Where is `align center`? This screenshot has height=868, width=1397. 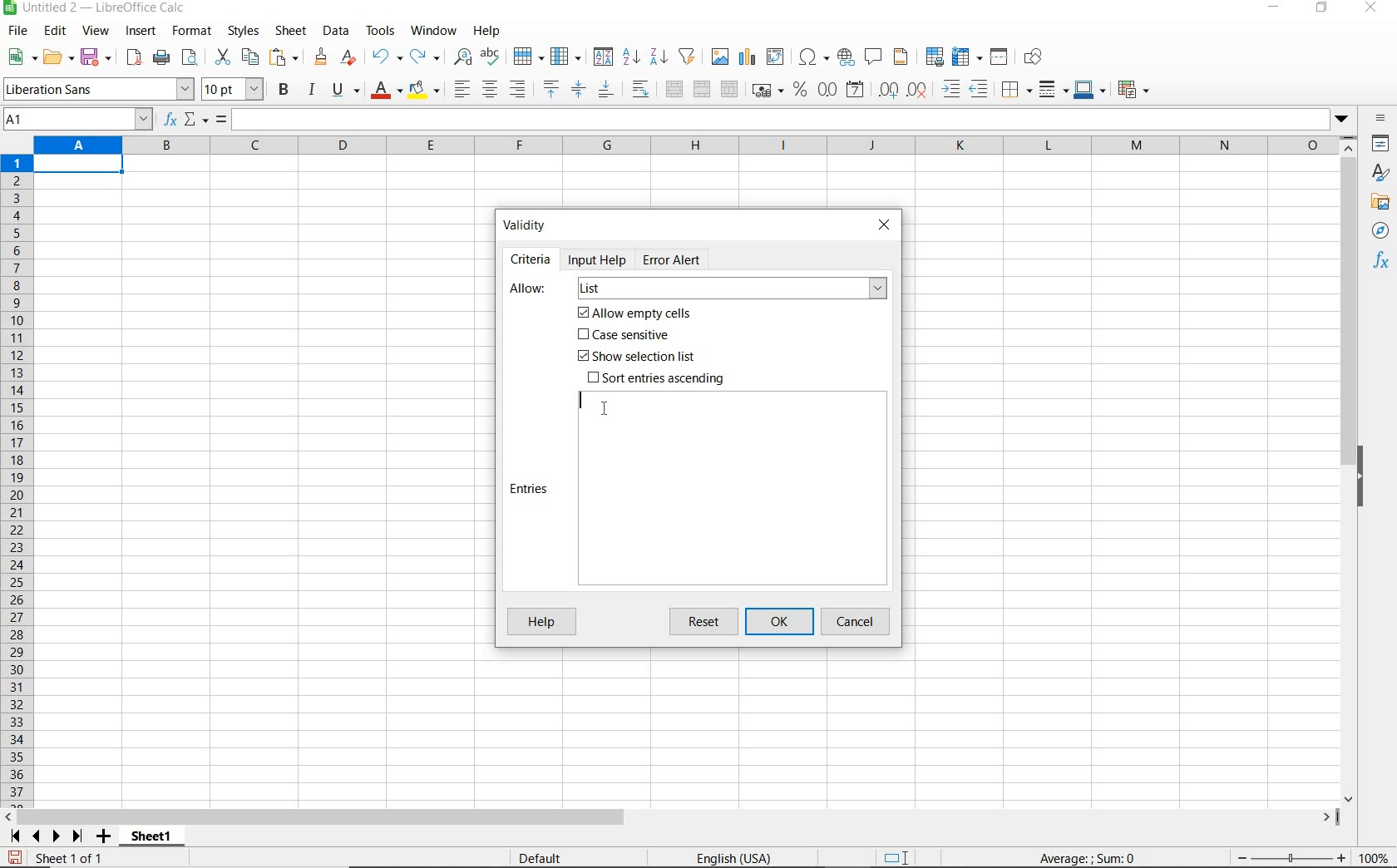
align center is located at coordinates (490, 90).